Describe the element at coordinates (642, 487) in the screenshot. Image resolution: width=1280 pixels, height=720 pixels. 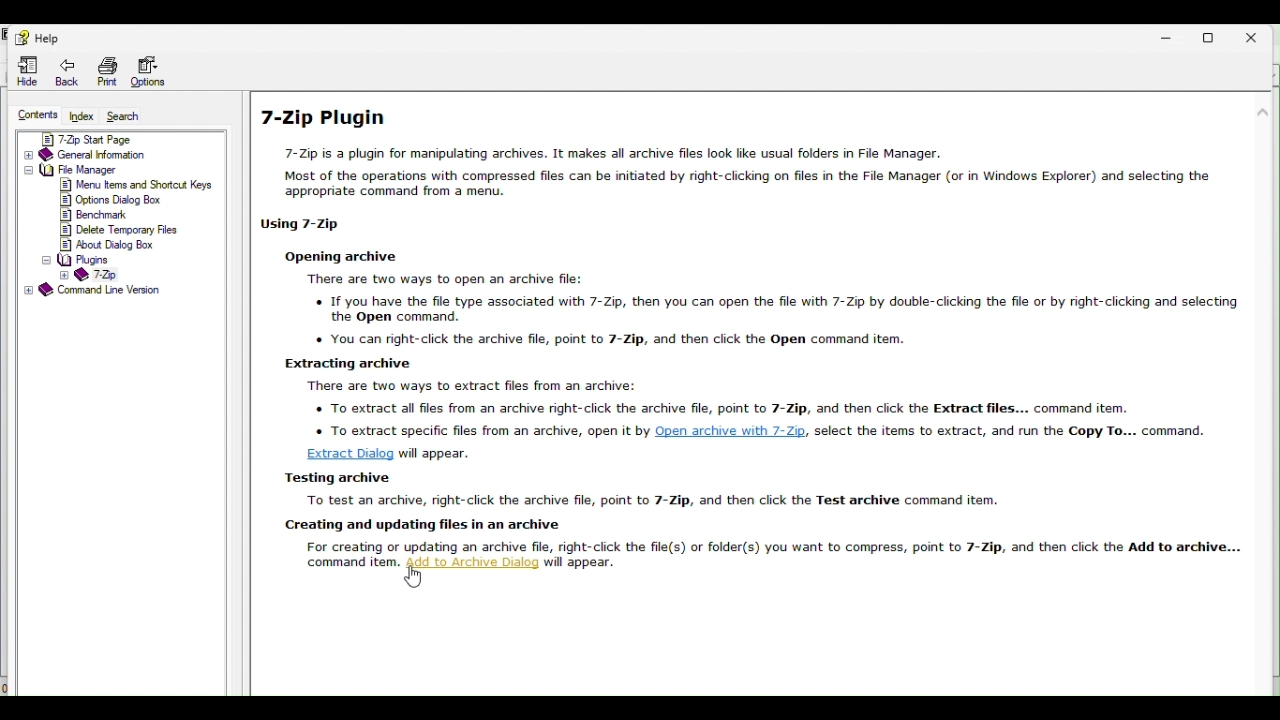
I see `Testing archive
To test an archive, right-click the archive file, point to 7-Zip, and then click the Test archive command item.` at that location.